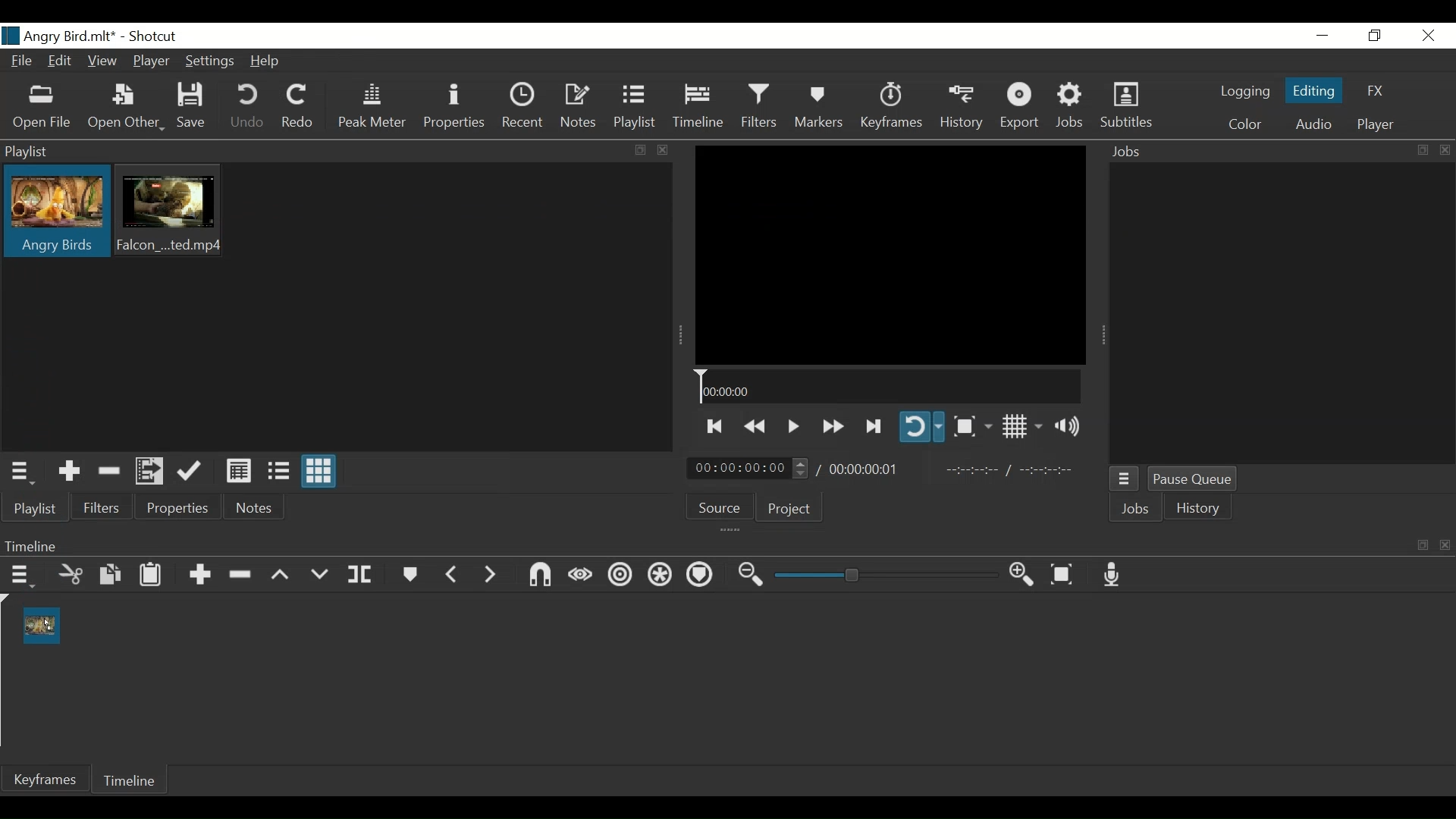 The width and height of the screenshot is (1456, 819). What do you see at coordinates (67, 471) in the screenshot?
I see `Add the Source to the playlist` at bounding box center [67, 471].